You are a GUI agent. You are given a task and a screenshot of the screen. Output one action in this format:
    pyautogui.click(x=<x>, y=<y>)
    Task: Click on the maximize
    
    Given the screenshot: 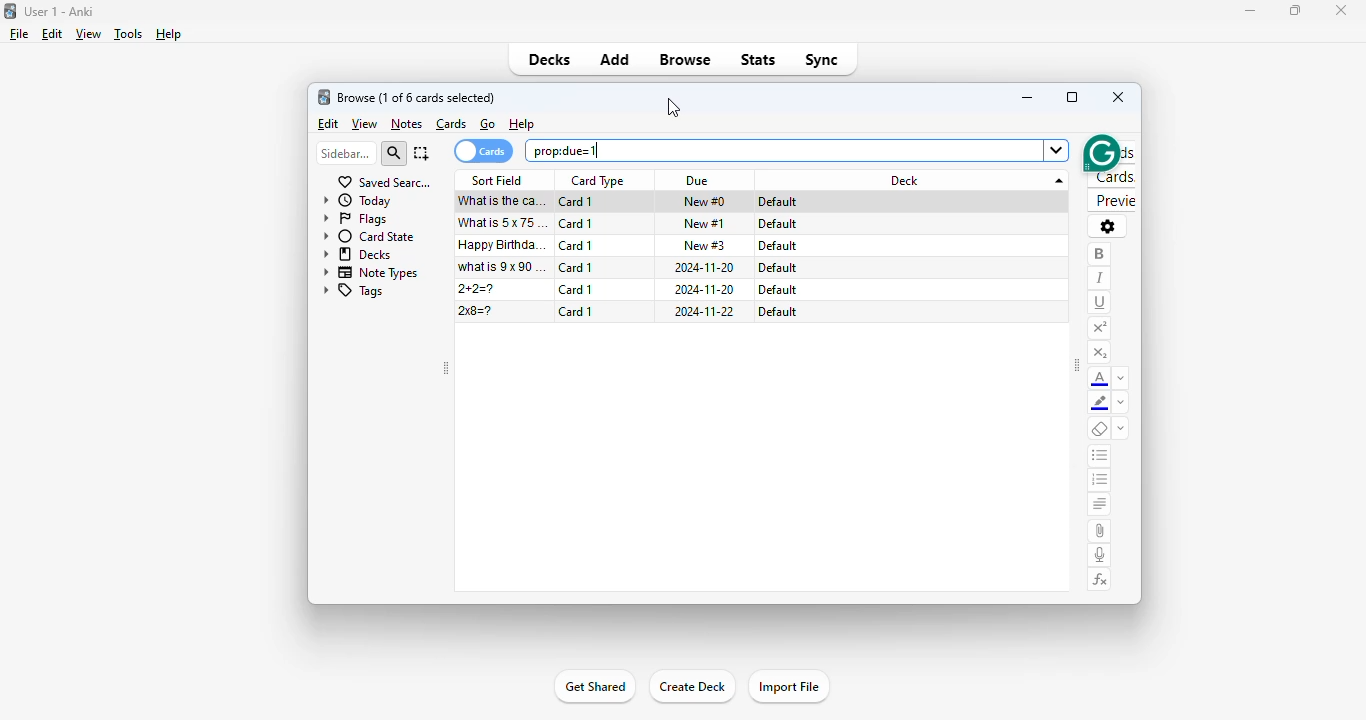 What is the action you would take?
    pyautogui.click(x=1294, y=9)
    